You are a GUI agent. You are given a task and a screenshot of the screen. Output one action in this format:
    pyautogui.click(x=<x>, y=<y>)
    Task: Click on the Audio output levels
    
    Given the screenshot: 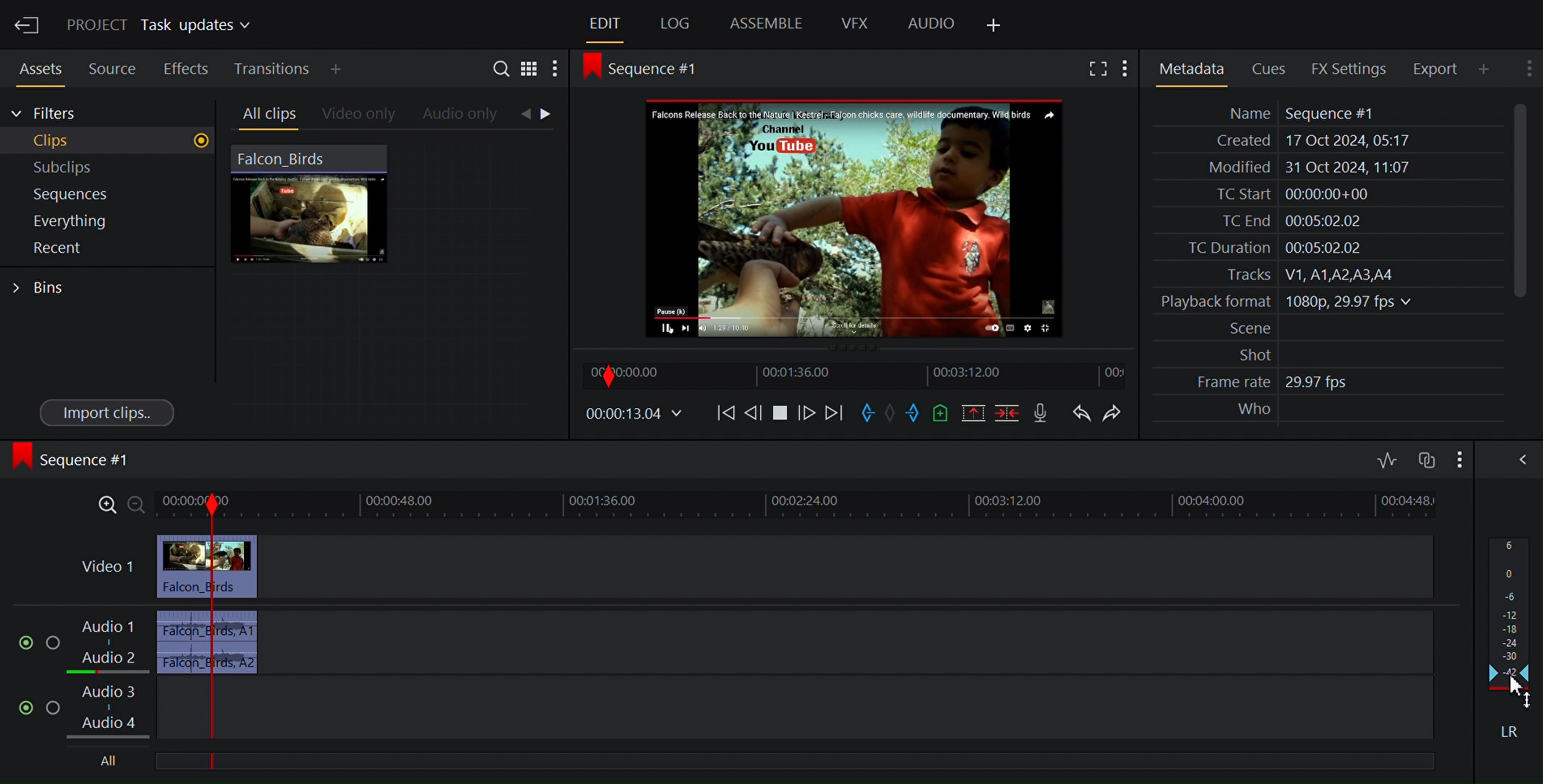 What is the action you would take?
    pyautogui.click(x=1510, y=612)
    